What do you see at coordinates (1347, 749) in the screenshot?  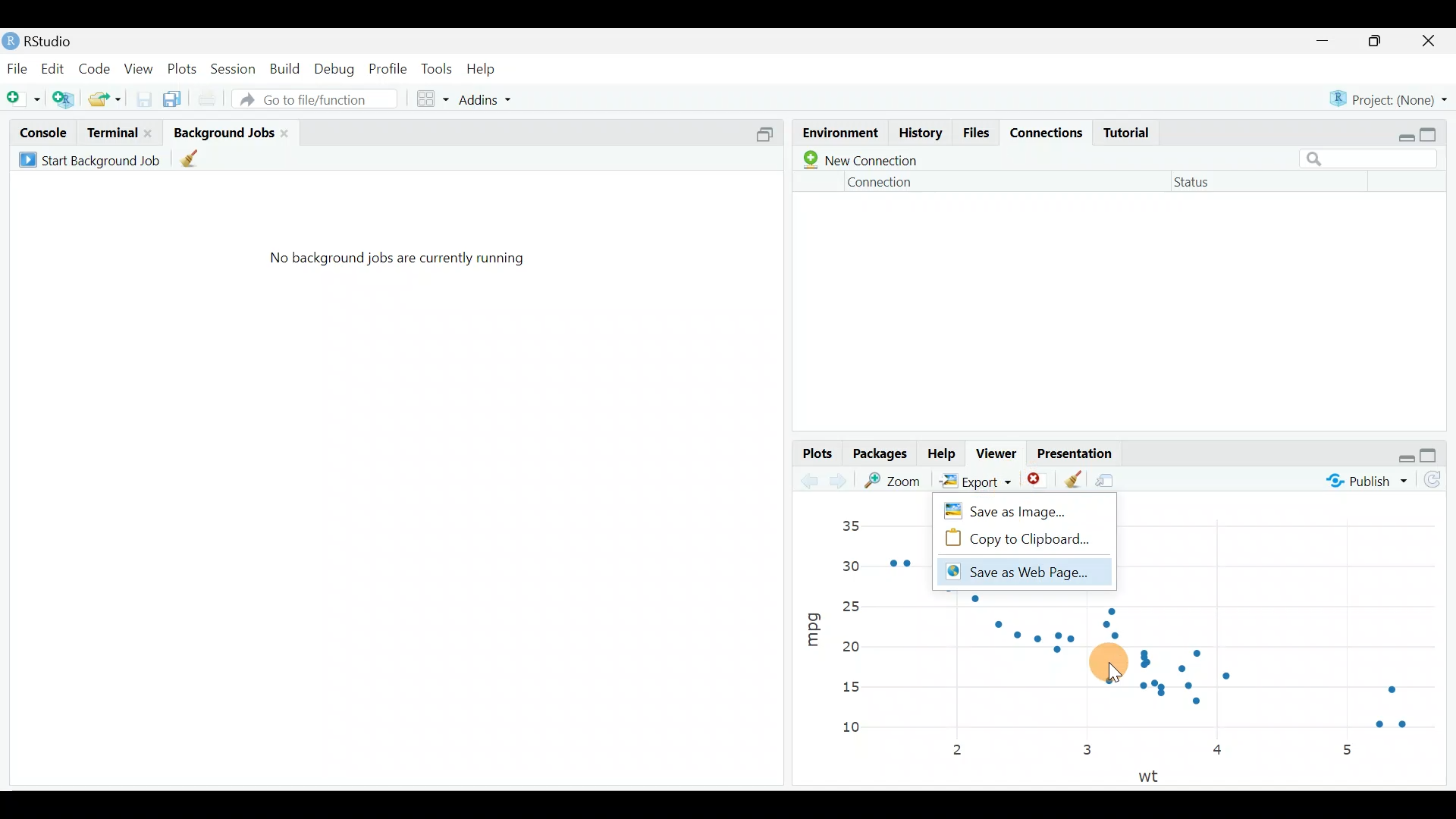 I see `5` at bounding box center [1347, 749].